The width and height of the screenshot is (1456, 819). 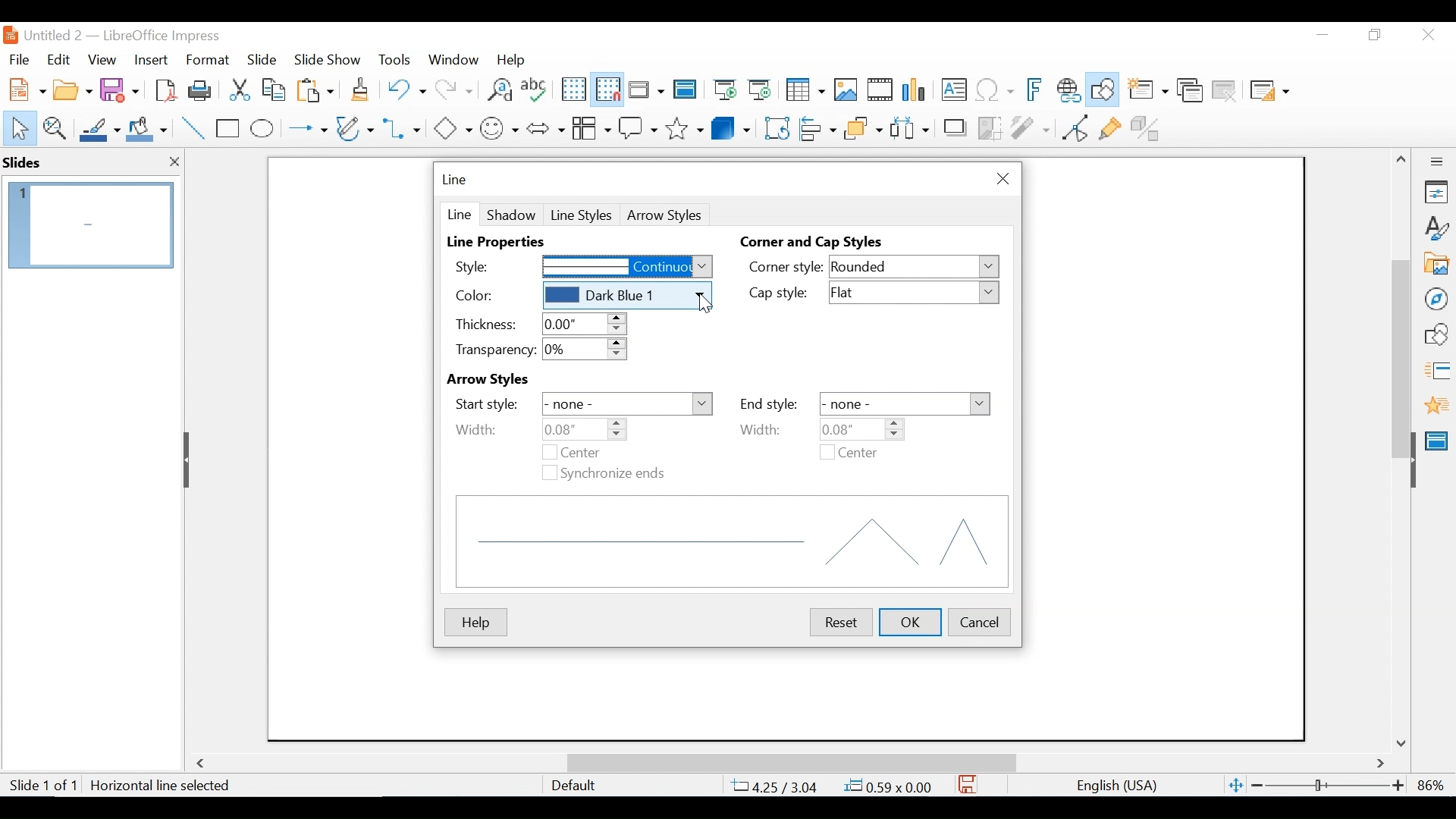 What do you see at coordinates (493, 296) in the screenshot?
I see `Color` at bounding box center [493, 296].